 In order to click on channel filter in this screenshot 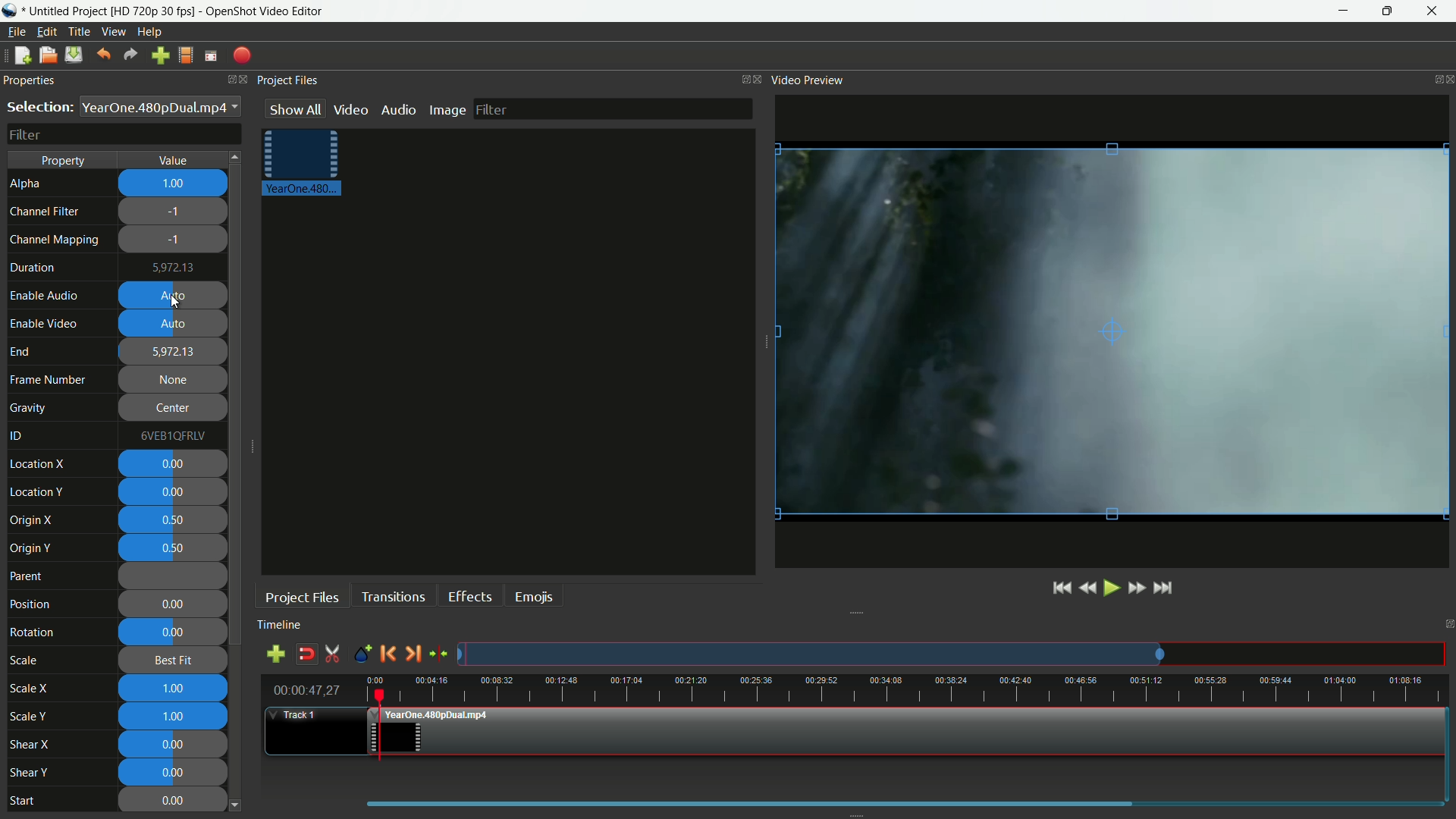, I will do `click(44, 211)`.